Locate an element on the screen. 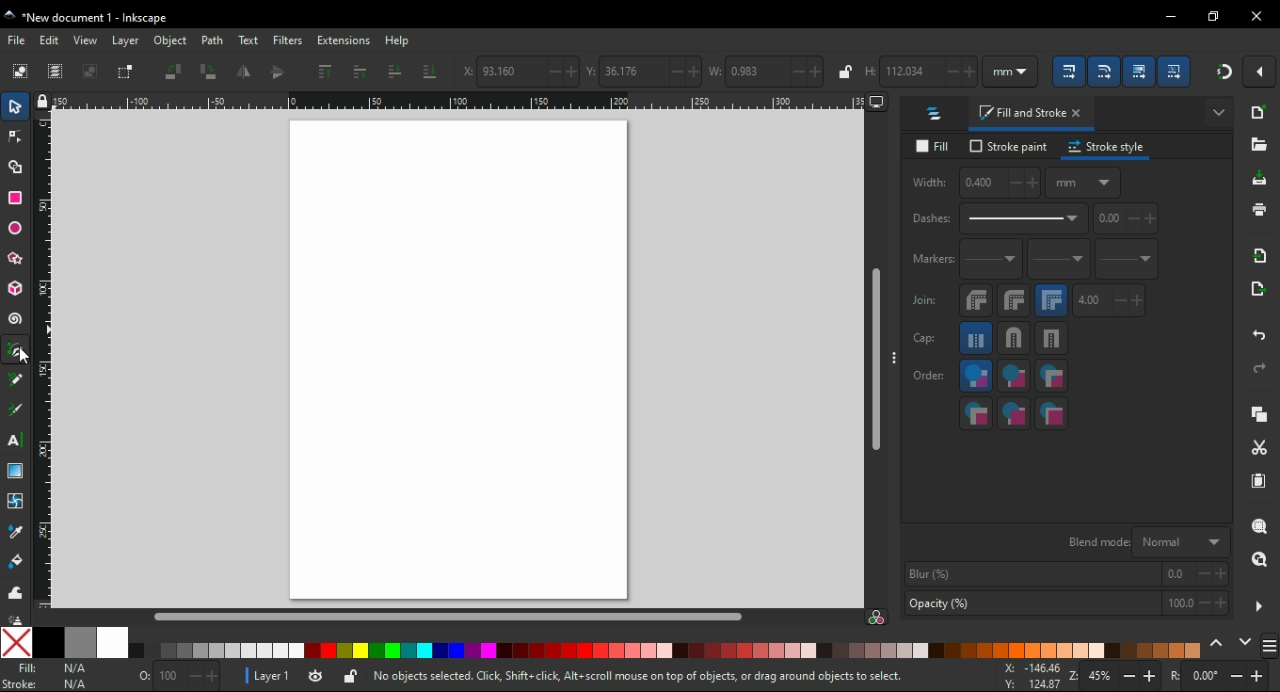 The height and width of the screenshot is (692, 1280). width is located at coordinates (765, 71).